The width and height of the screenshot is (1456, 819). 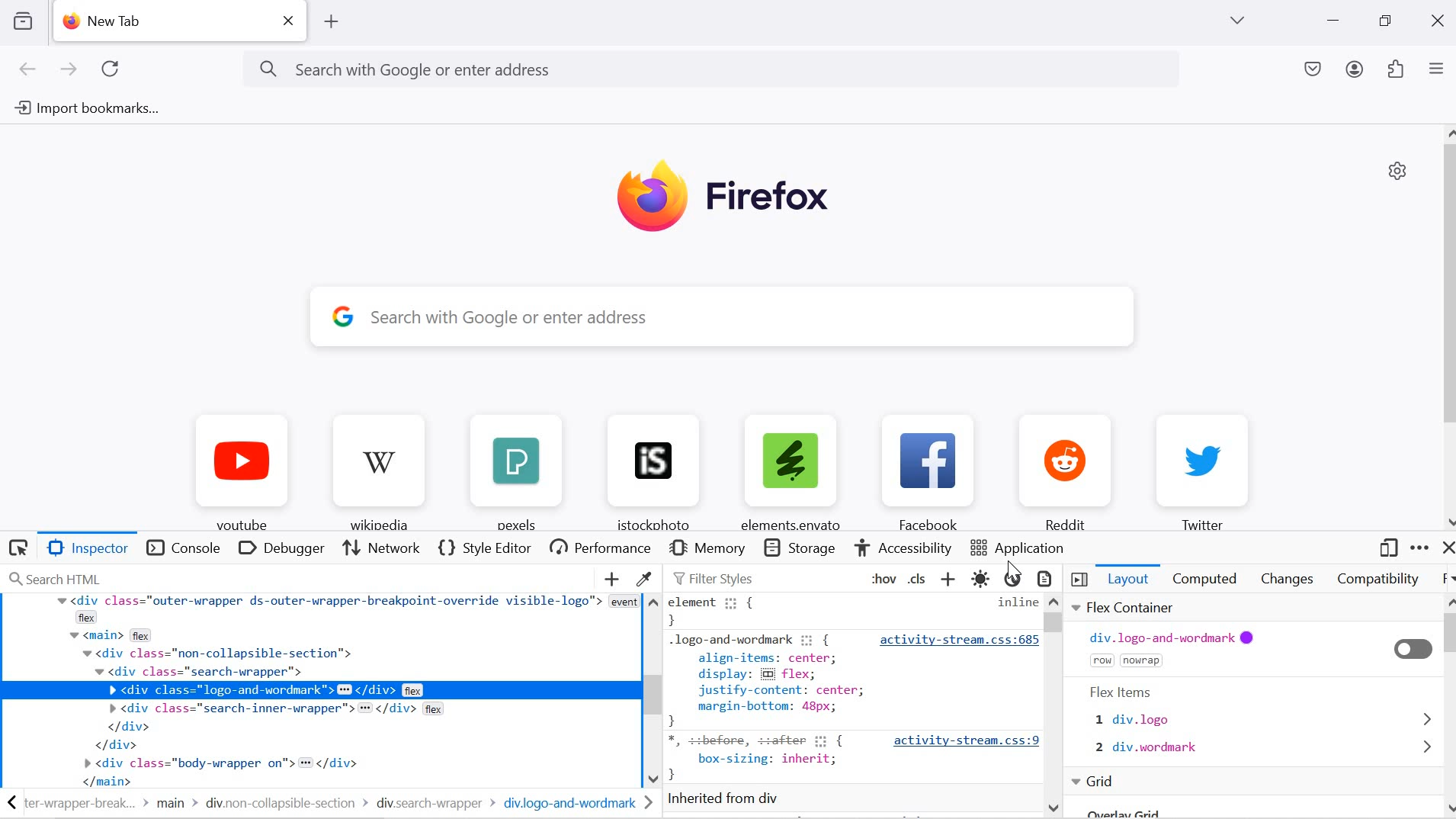 I want to click on RELOAD, so click(x=116, y=69).